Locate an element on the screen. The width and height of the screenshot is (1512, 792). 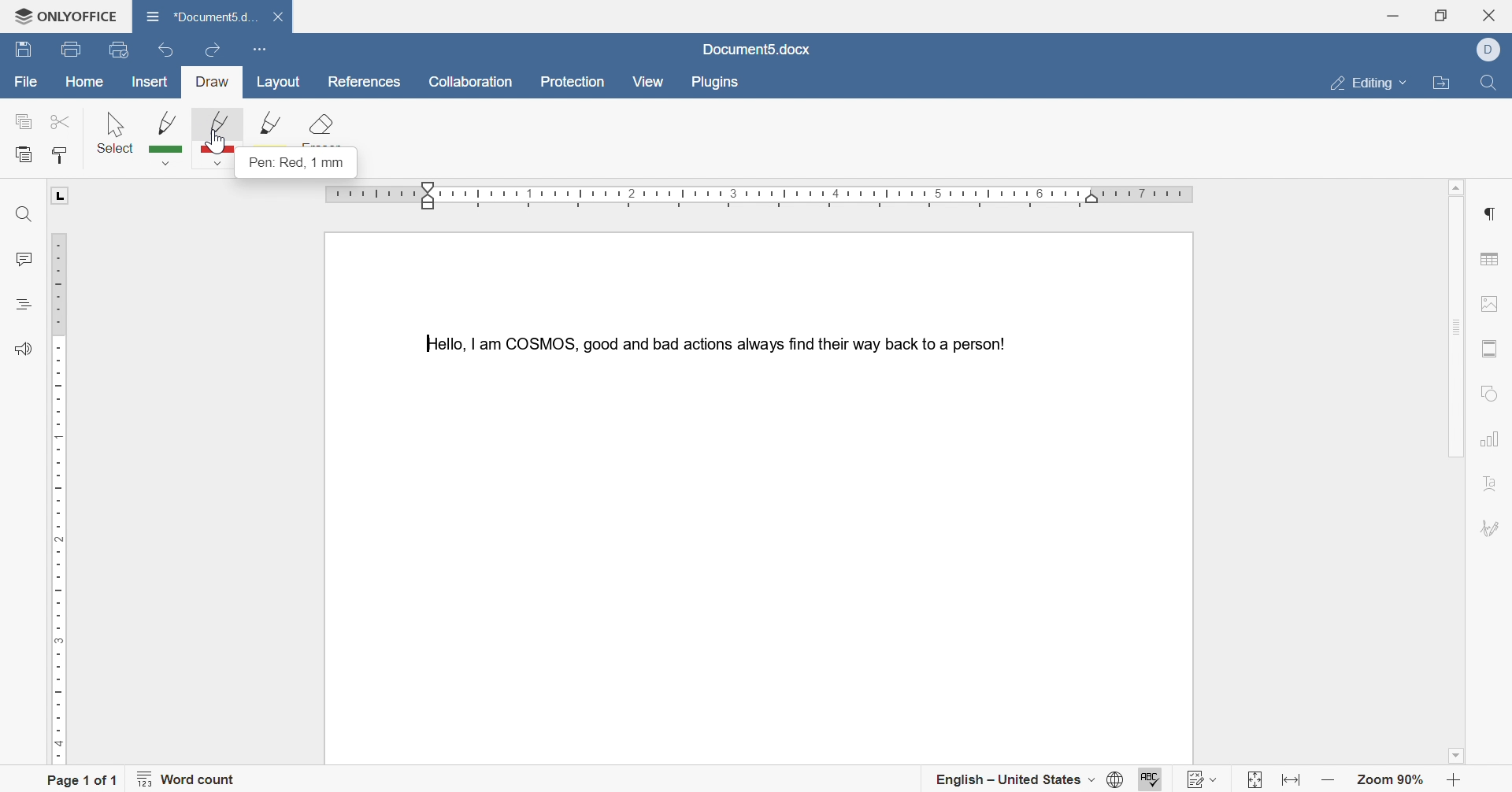
header and footer settings is located at coordinates (1489, 350).